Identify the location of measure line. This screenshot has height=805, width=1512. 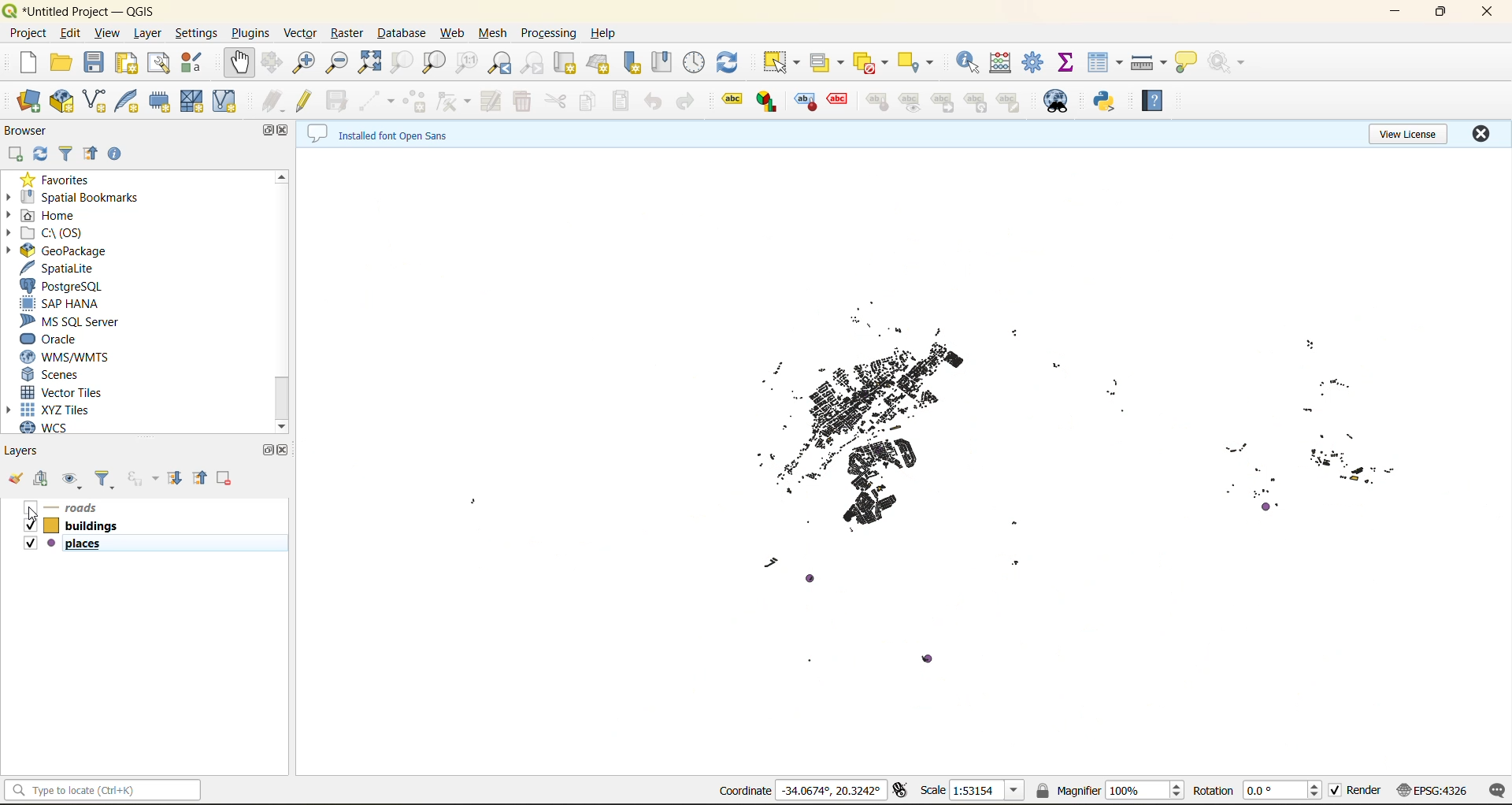
(1149, 63).